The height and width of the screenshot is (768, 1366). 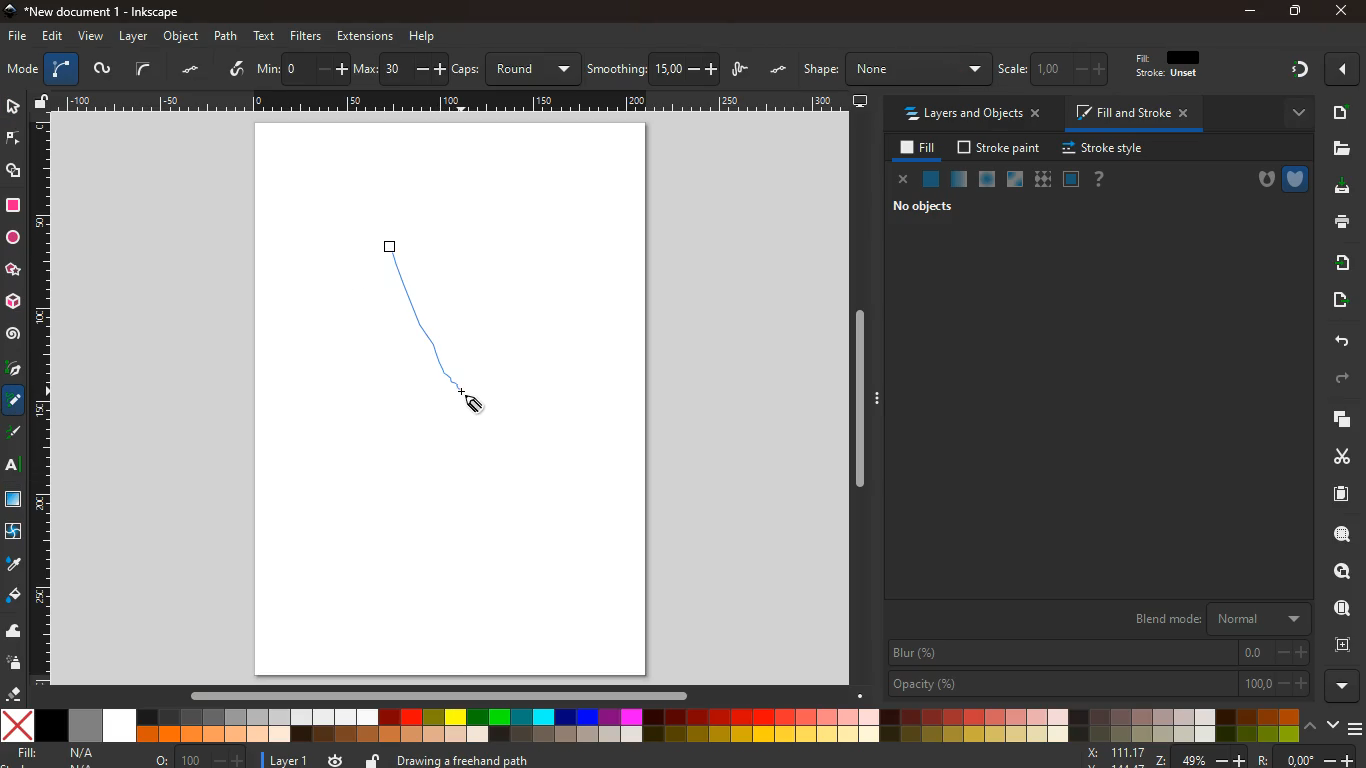 I want to click on blur, so click(x=1100, y=653).